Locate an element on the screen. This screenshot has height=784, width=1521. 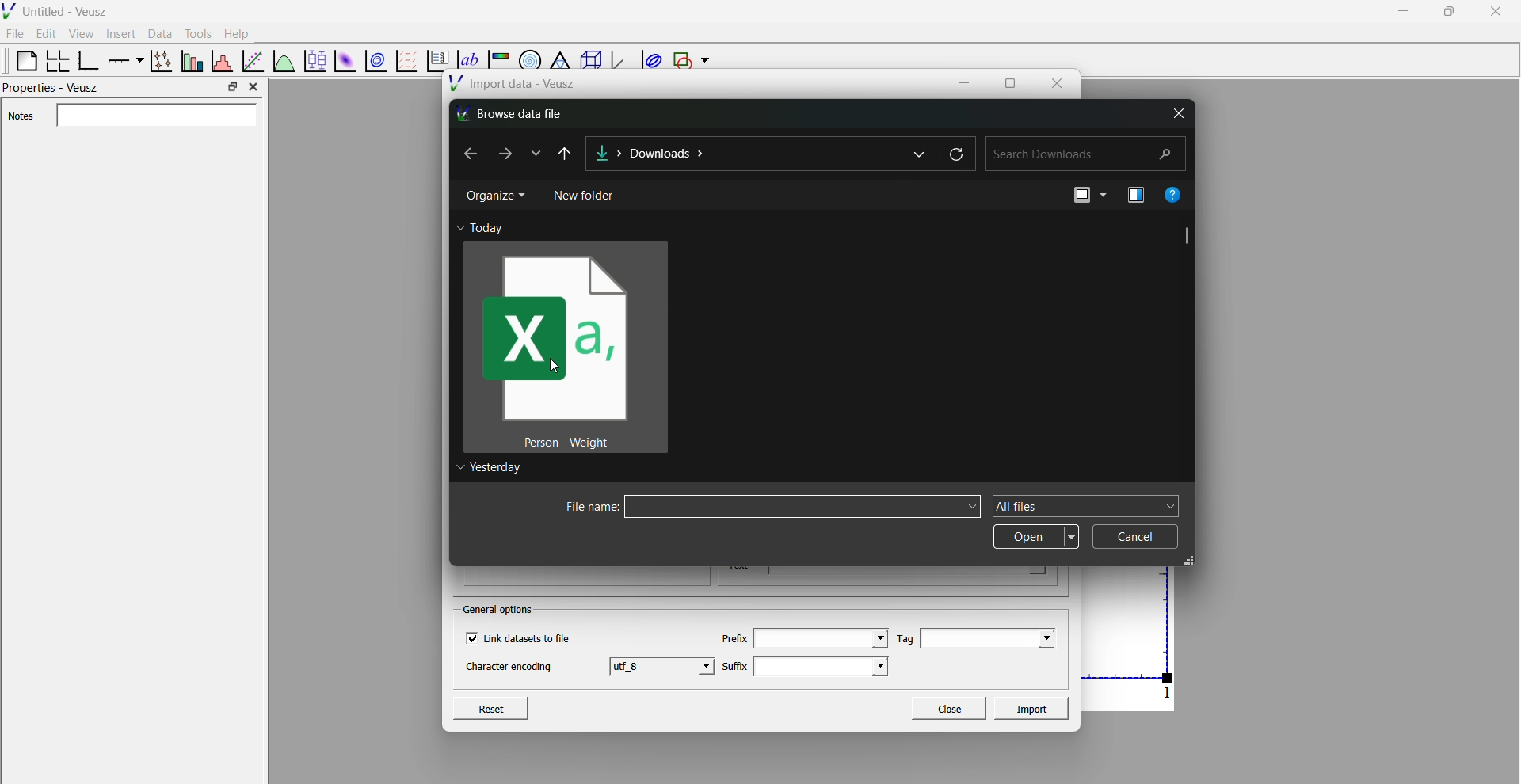
CHANGE YOUR VIEW is located at coordinates (1077, 200).